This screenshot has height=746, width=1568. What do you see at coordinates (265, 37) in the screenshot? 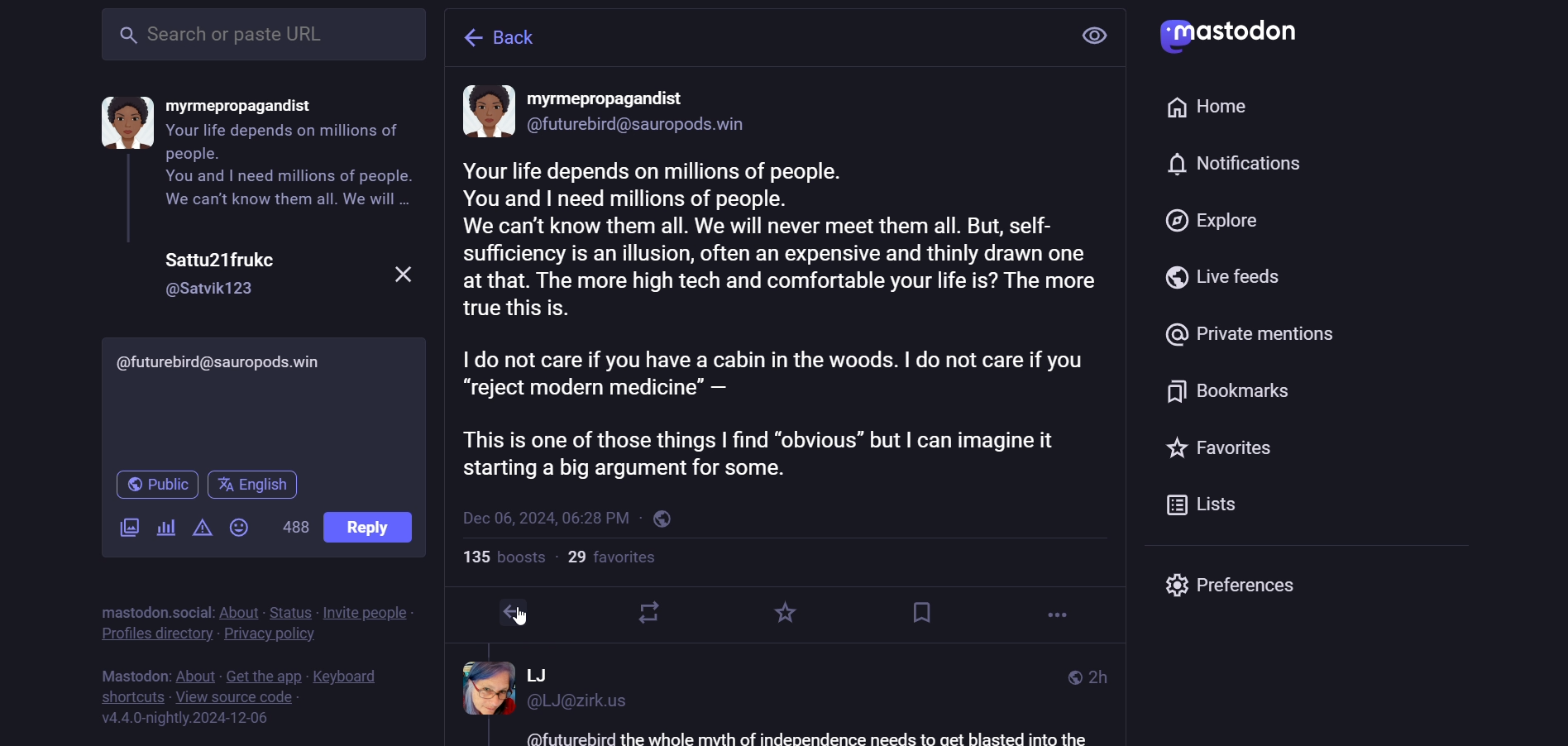
I see `search` at bounding box center [265, 37].